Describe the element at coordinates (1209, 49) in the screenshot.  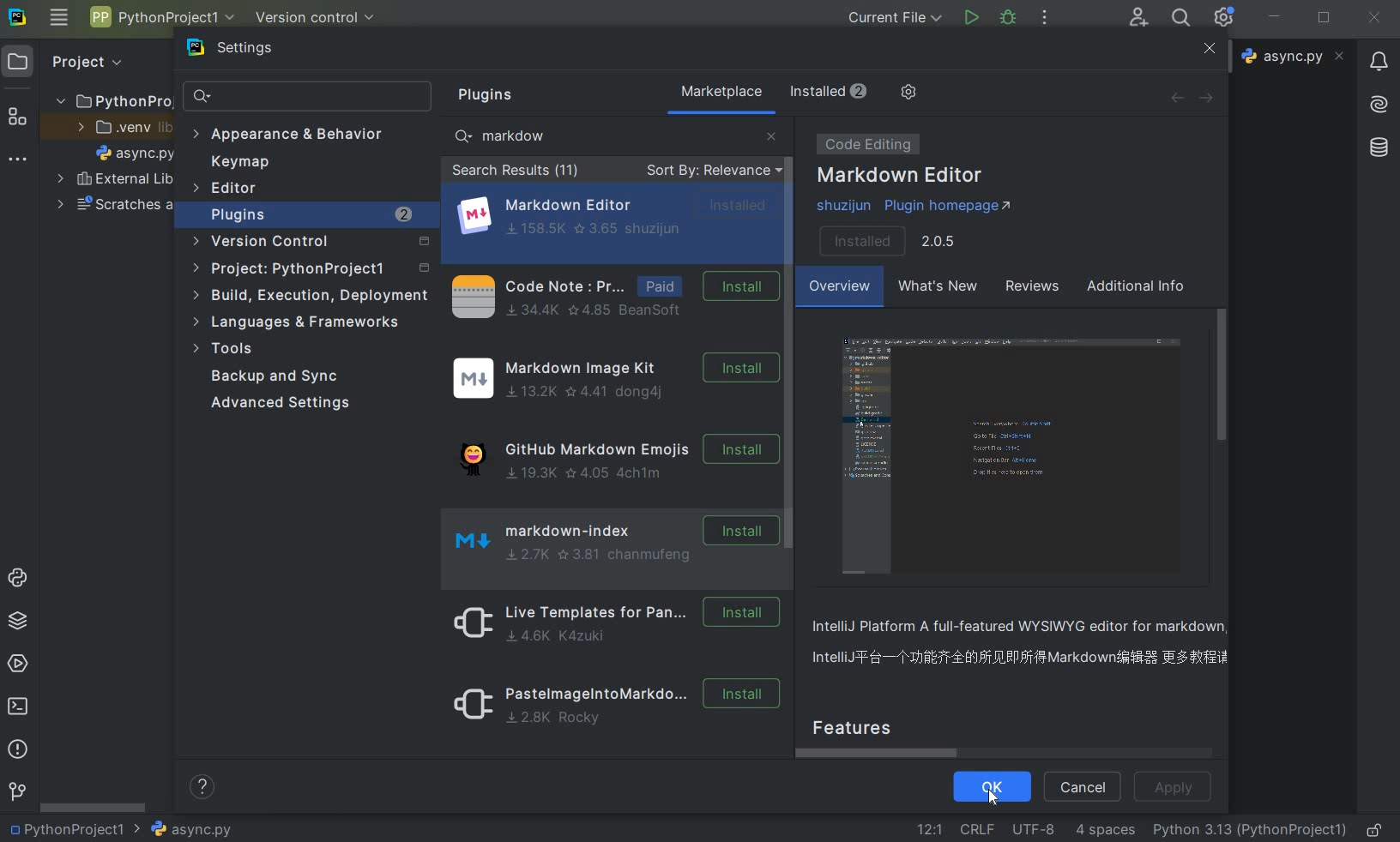
I see `close` at that location.